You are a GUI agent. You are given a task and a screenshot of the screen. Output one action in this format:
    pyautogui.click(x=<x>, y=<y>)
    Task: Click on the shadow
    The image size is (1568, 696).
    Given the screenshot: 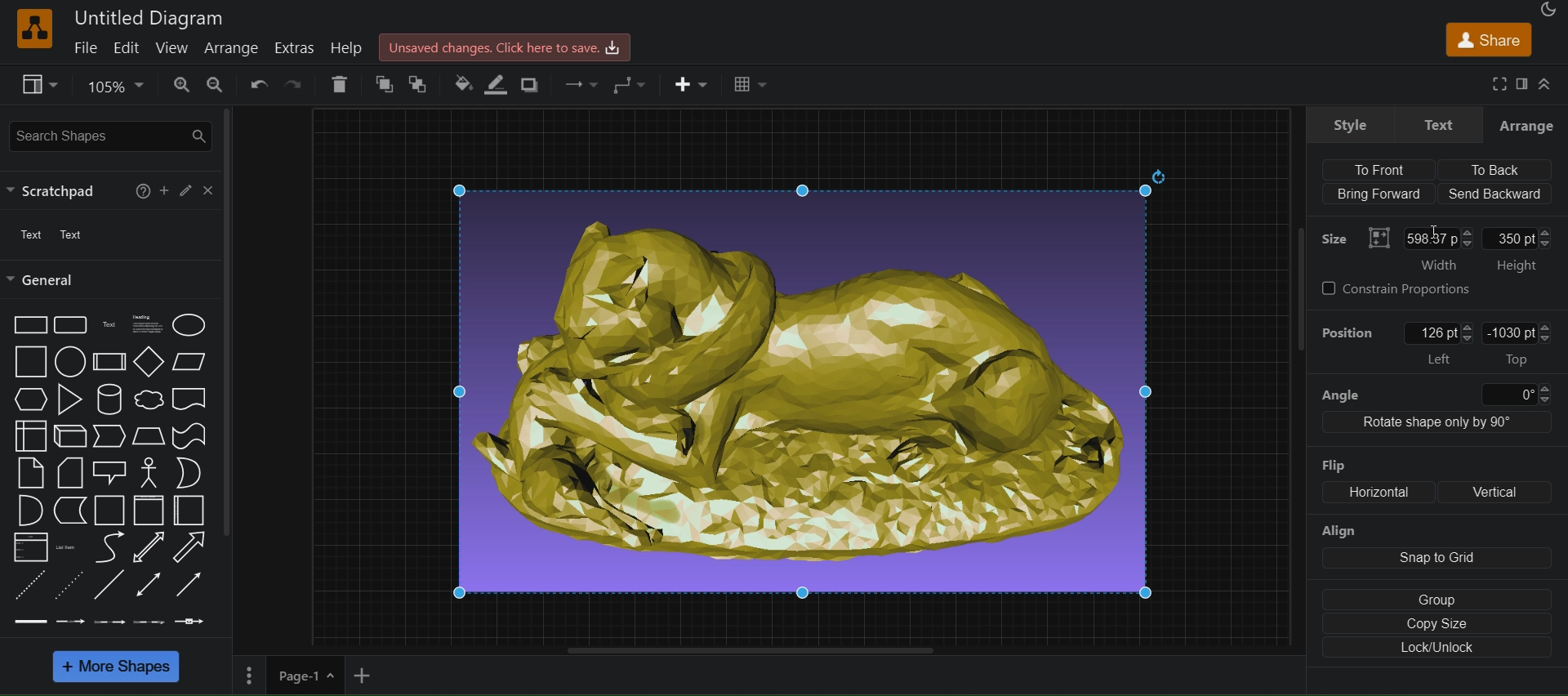 What is the action you would take?
    pyautogui.click(x=536, y=84)
    